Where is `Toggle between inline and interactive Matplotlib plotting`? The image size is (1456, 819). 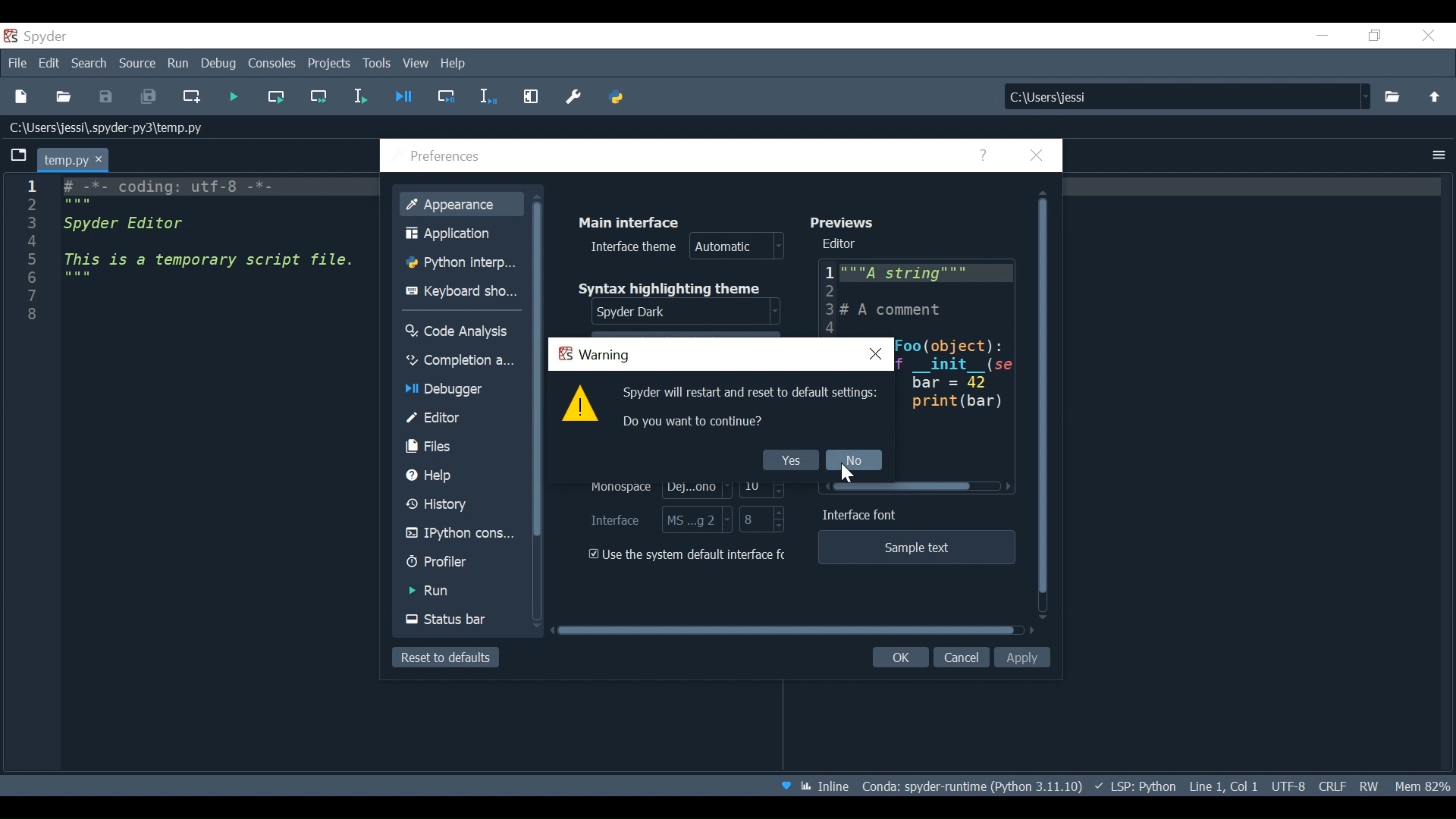
Toggle between inline and interactive Matplotlib plotting is located at coordinates (826, 788).